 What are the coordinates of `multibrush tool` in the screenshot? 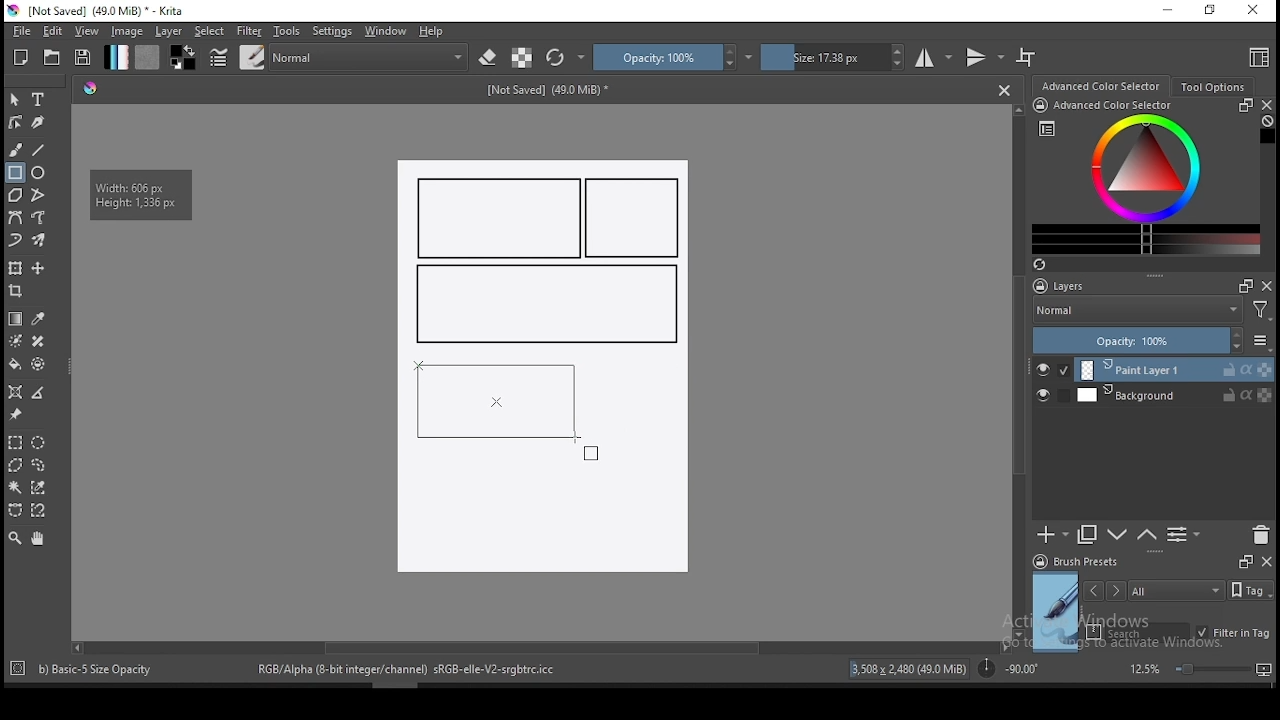 It's located at (40, 242).